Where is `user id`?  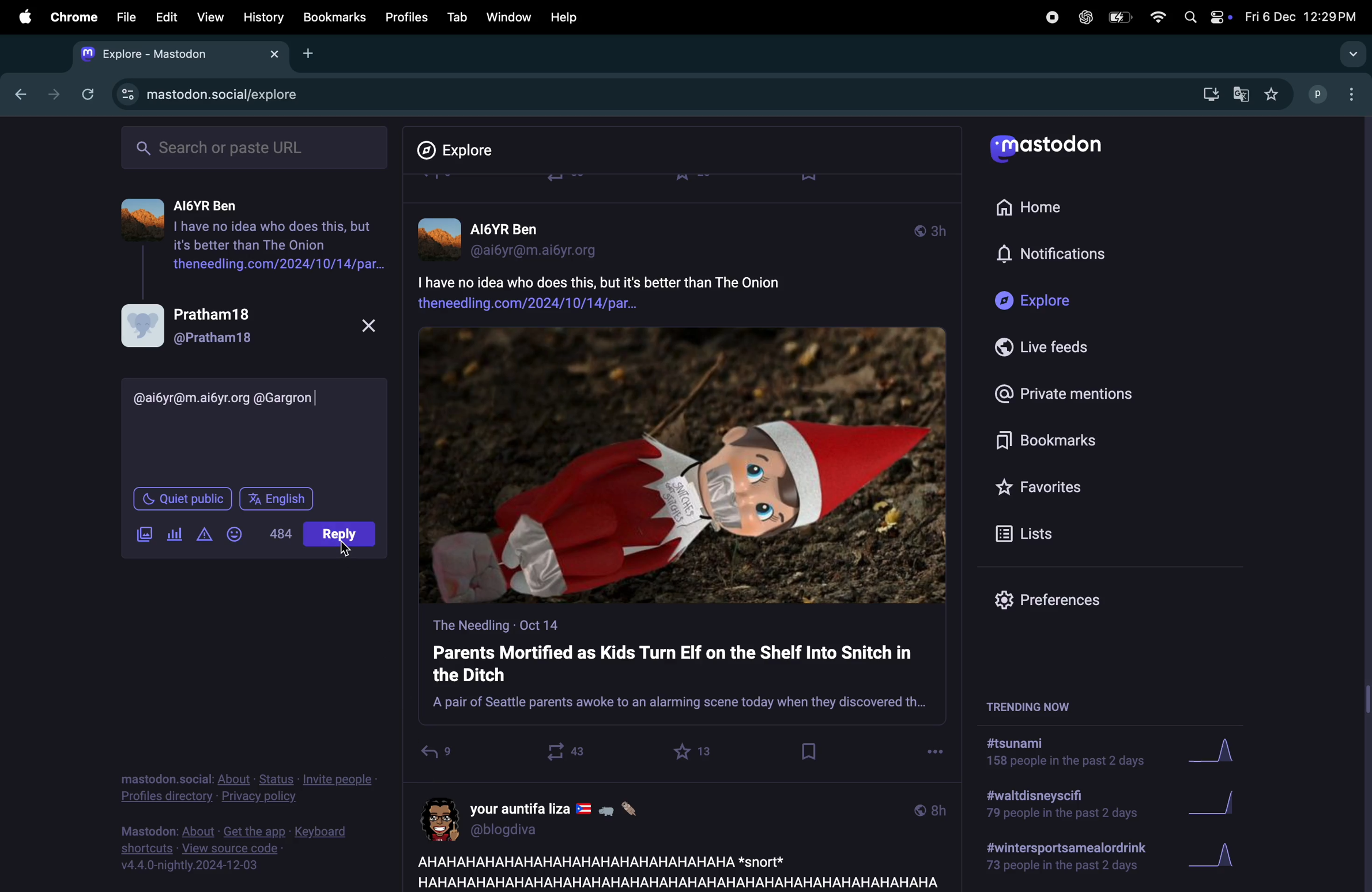 user id is located at coordinates (228, 396).